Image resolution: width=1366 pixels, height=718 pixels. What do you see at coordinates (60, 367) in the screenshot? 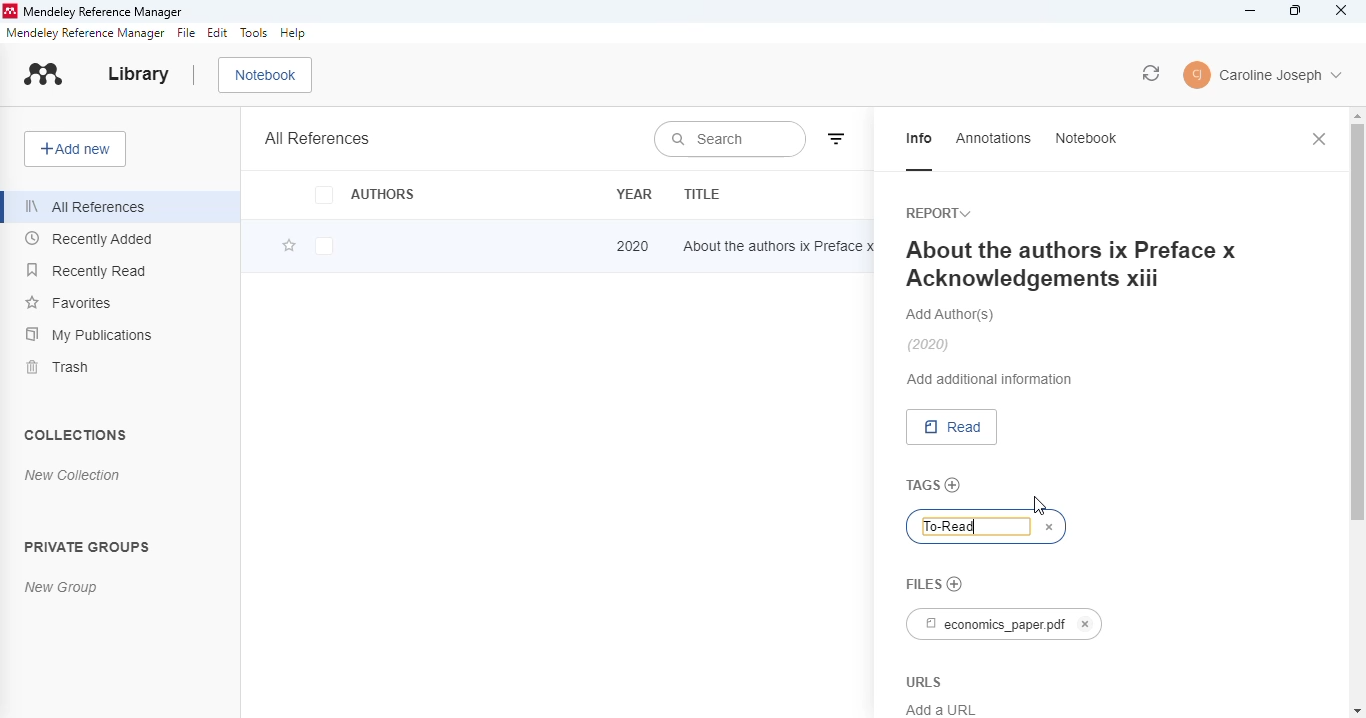
I see `trash` at bounding box center [60, 367].